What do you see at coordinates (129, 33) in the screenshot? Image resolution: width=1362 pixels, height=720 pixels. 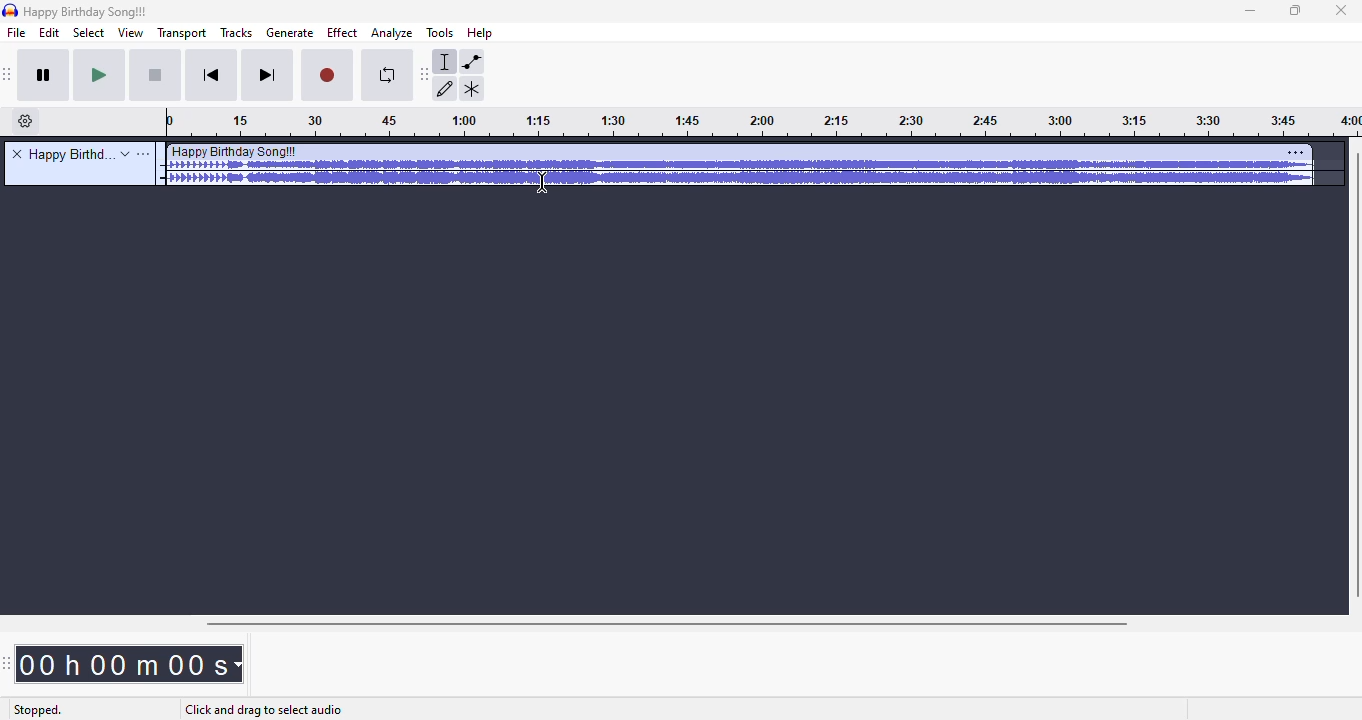 I see `view` at bounding box center [129, 33].